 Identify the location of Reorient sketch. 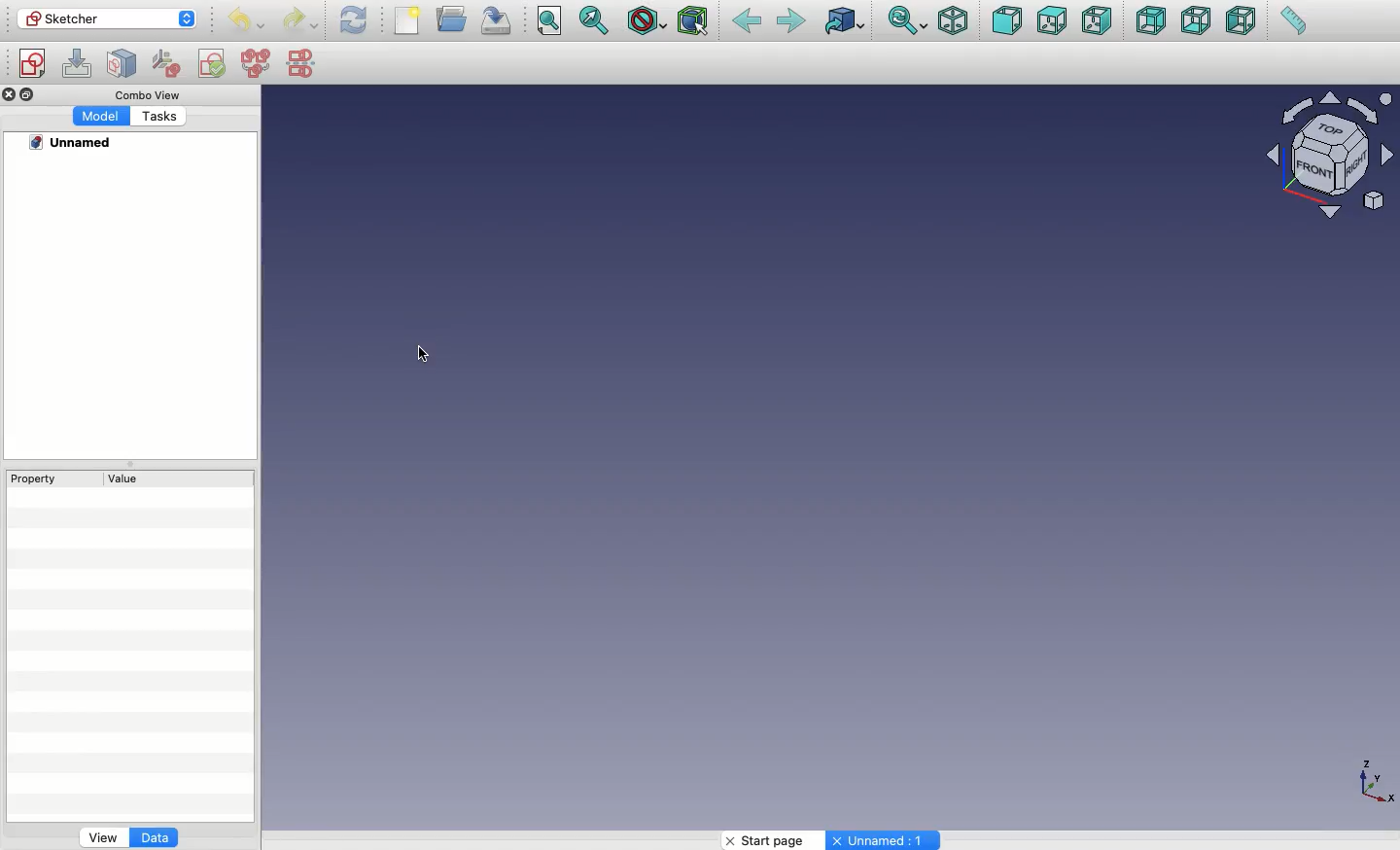
(168, 62).